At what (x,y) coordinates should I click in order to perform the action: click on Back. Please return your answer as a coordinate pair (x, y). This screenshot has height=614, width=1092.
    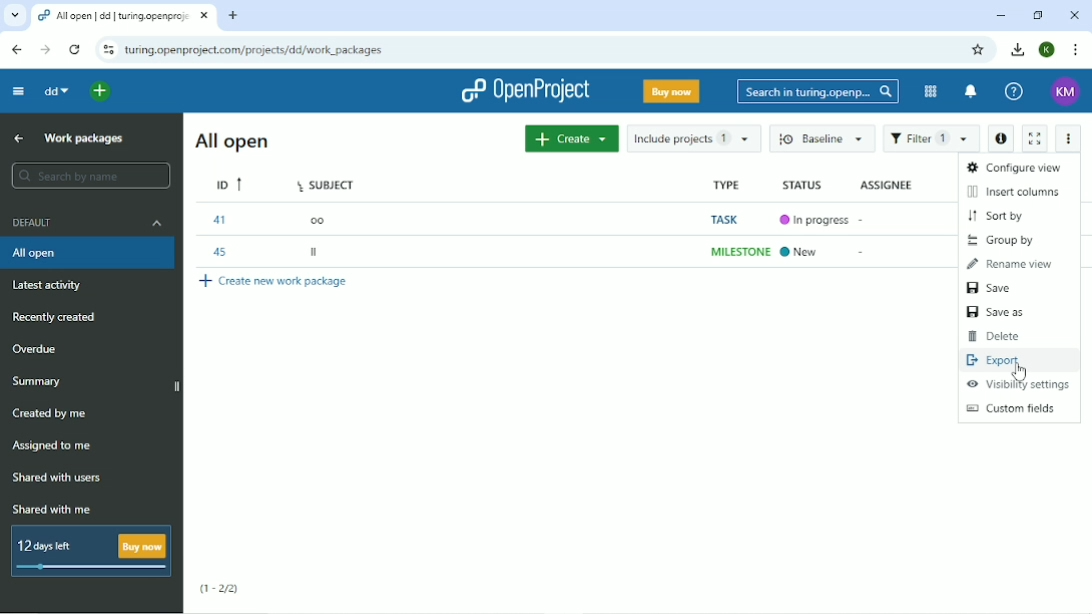
    Looking at the image, I should click on (16, 50).